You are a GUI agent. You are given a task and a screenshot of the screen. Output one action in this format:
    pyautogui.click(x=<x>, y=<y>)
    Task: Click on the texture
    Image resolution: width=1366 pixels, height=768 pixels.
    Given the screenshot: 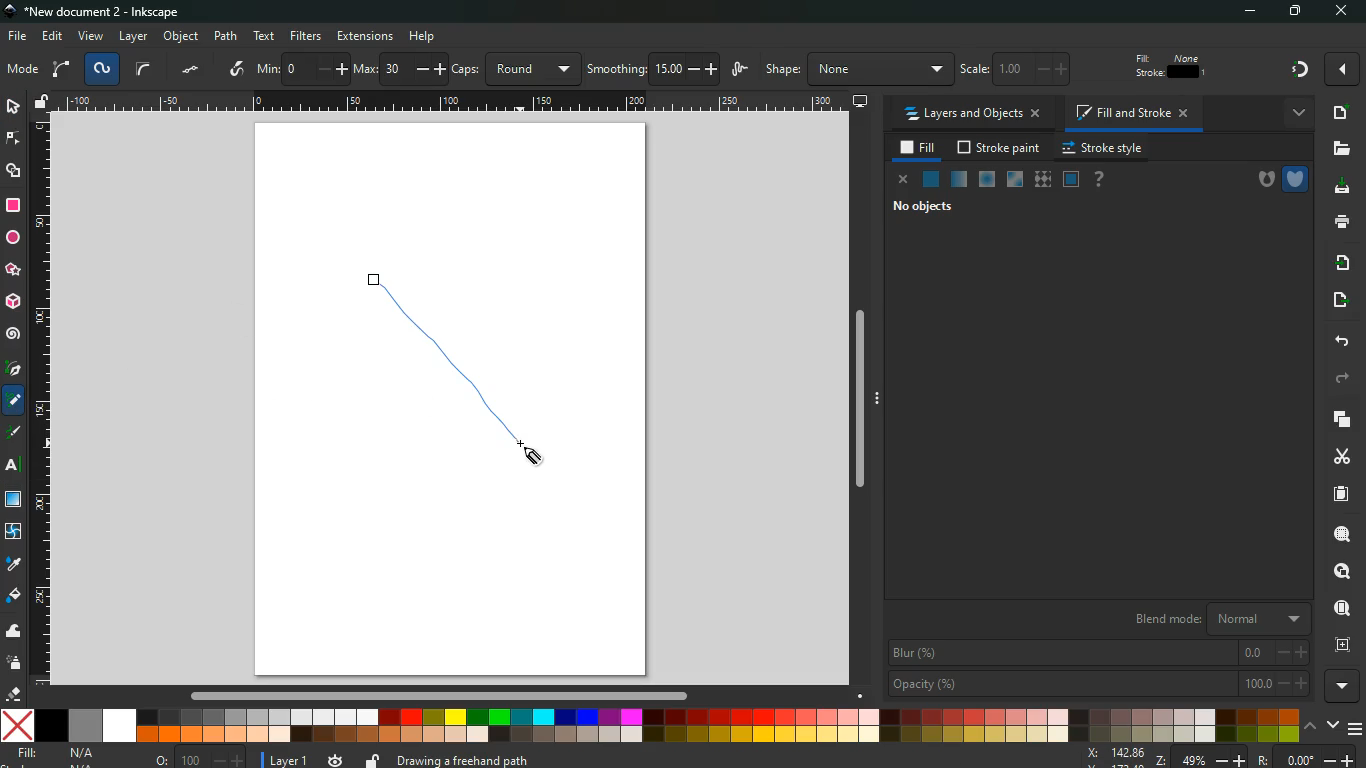 What is the action you would take?
    pyautogui.click(x=1042, y=179)
    